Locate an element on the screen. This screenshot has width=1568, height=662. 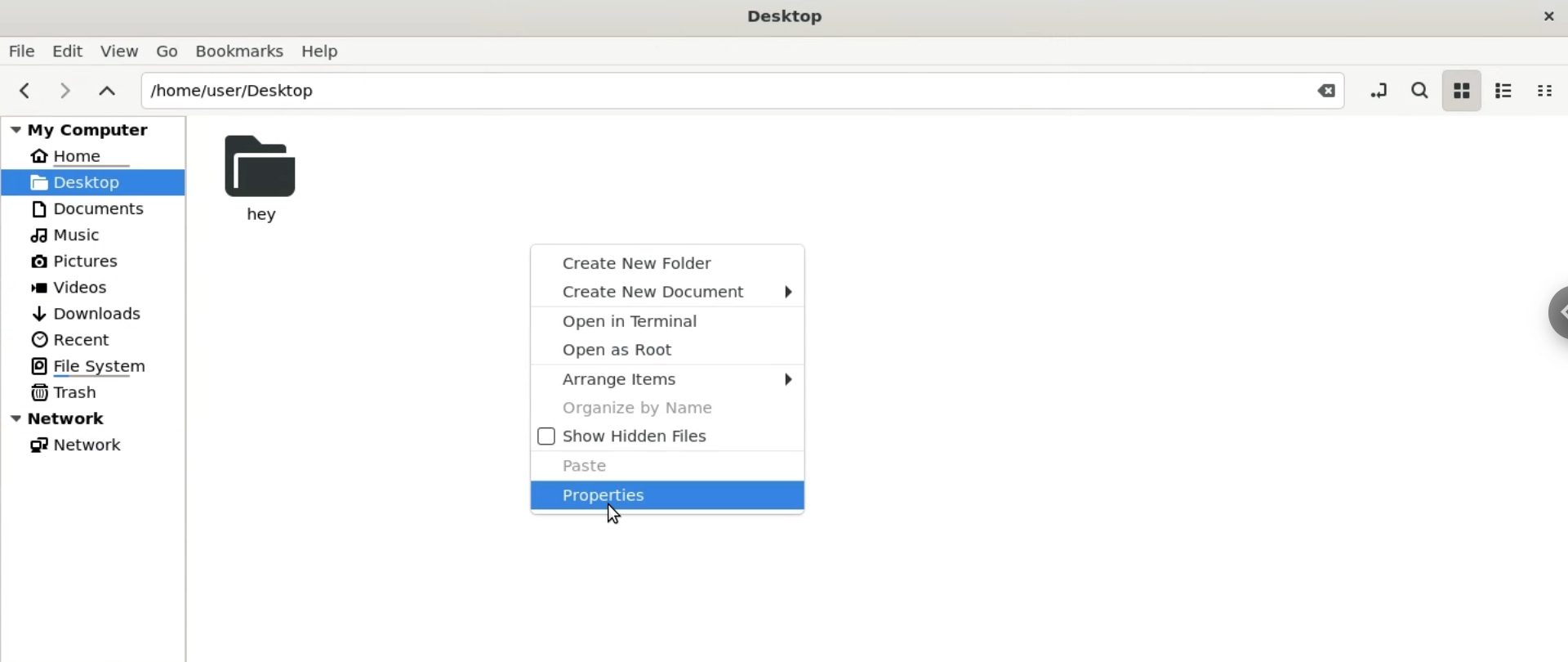
toggle location entry is located at coordinates (1379, 91).